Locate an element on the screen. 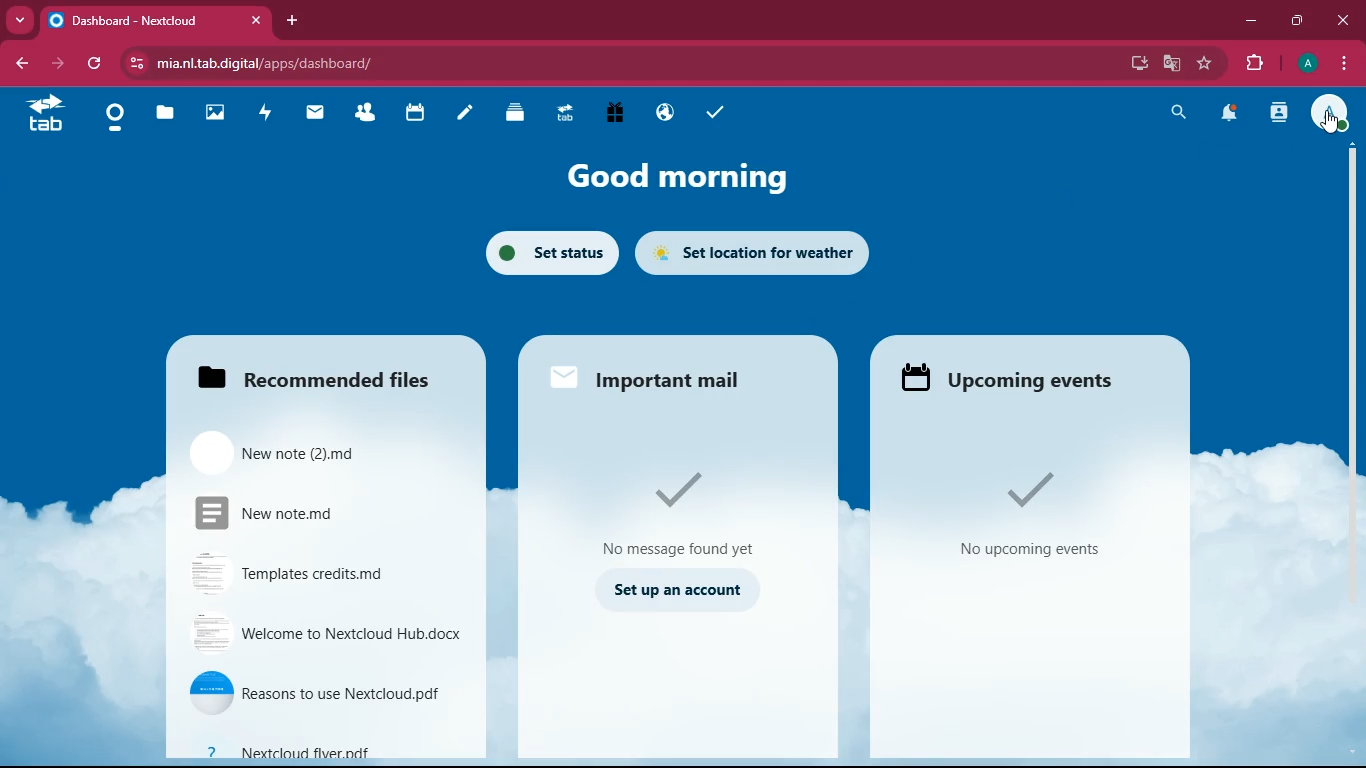 The width and height of the screenshot is (1366, 768). file is located at coordinates (324, 694).